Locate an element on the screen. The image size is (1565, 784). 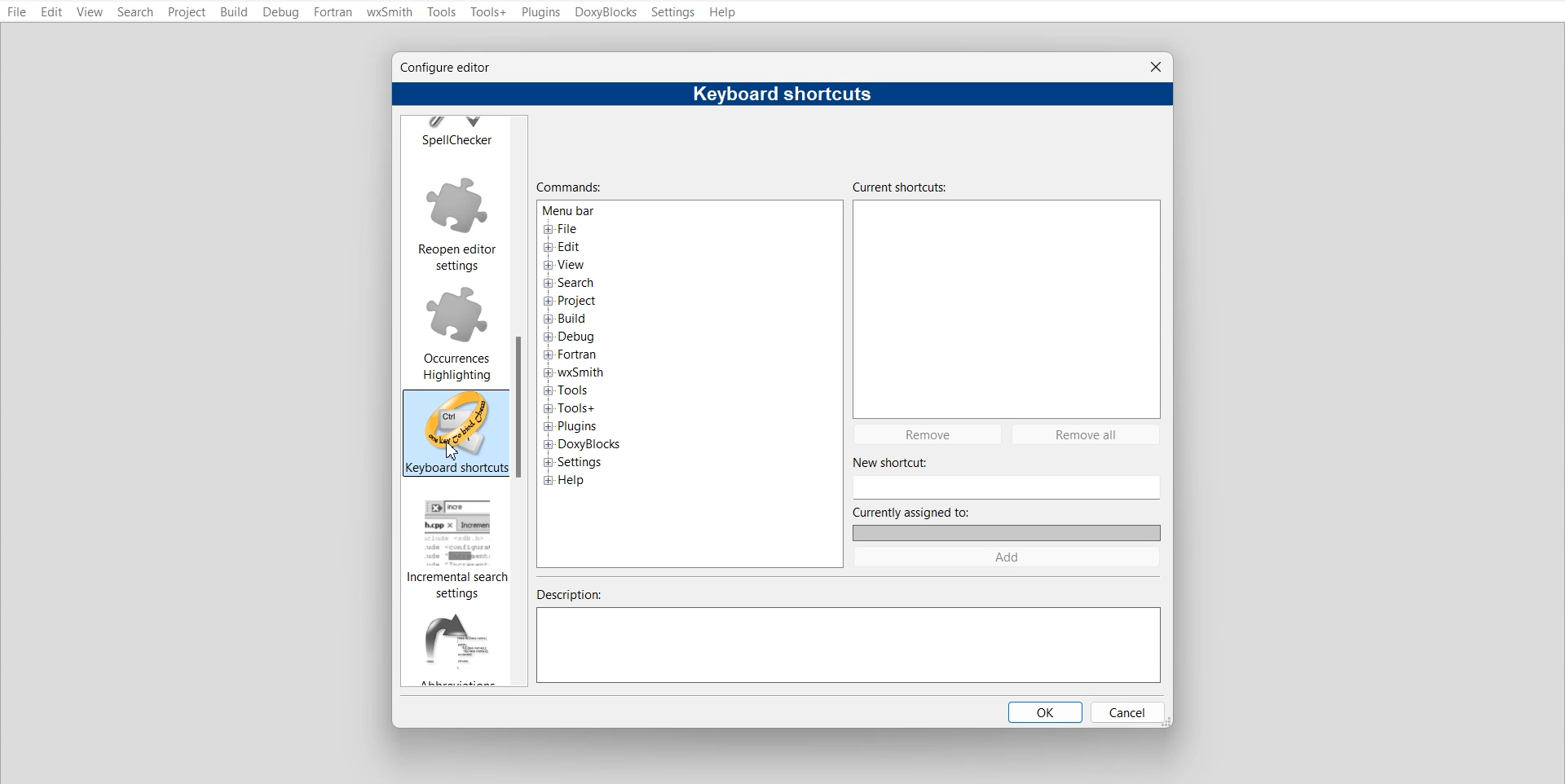
View is located at coordinates (90, 11).